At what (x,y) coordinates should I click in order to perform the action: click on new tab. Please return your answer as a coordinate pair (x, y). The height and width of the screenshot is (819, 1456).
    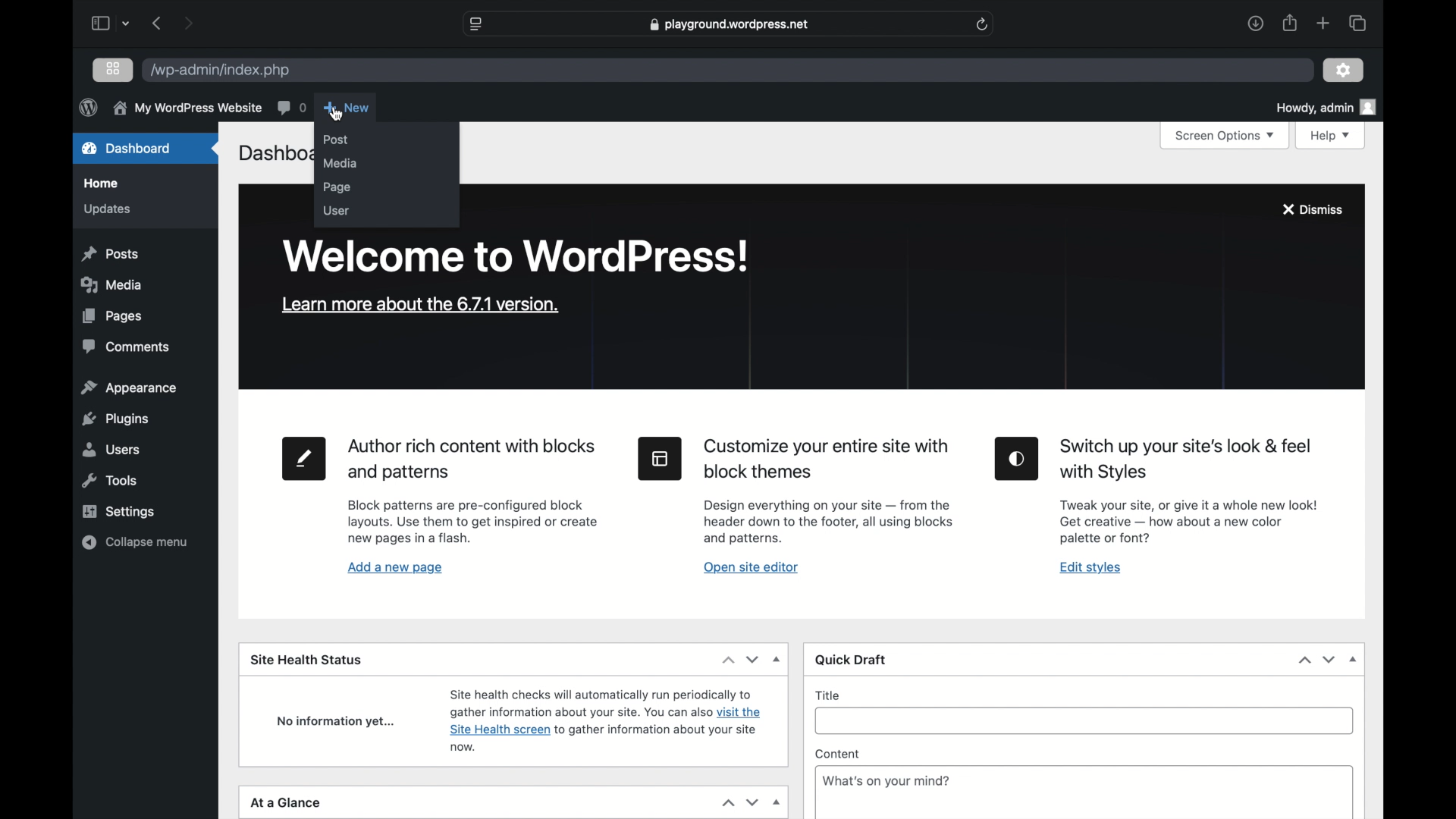
    Looking at the image, I should click on (1324, 24).